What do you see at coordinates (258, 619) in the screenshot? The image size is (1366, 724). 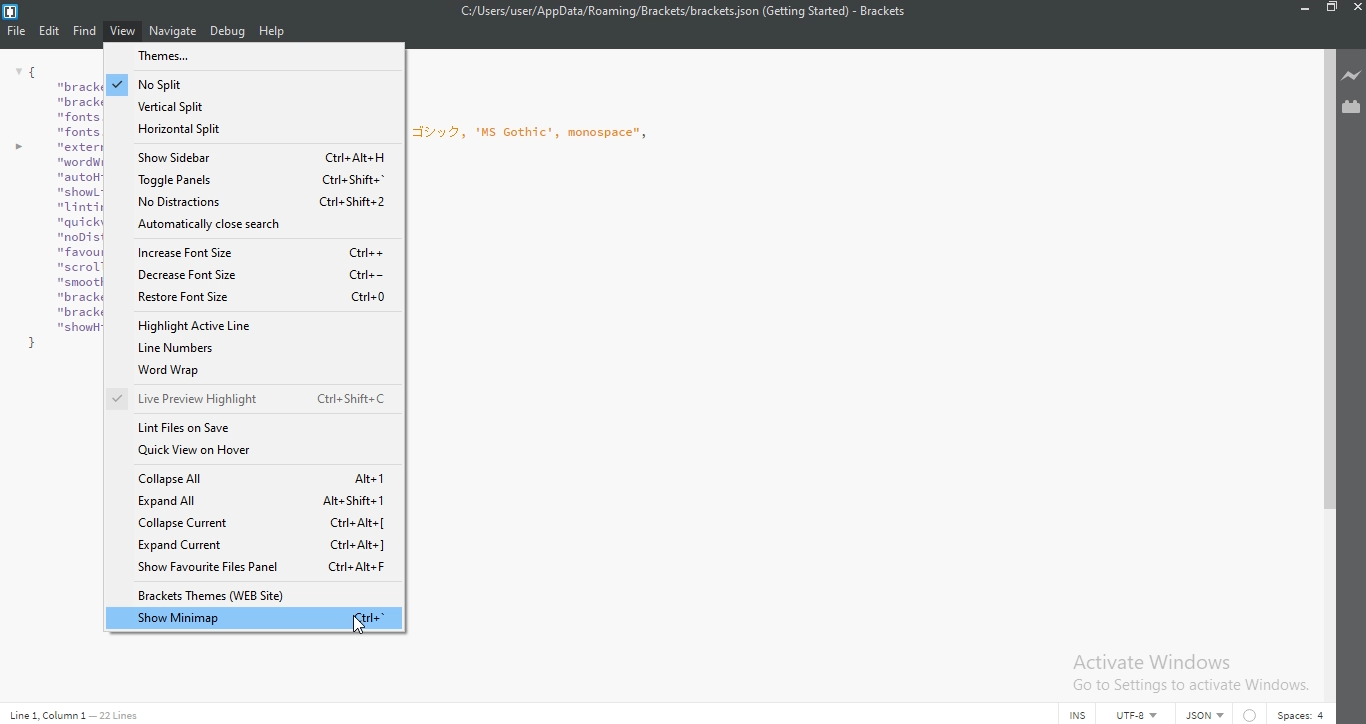 I see `show minimap` at bounding box center [258, 619].